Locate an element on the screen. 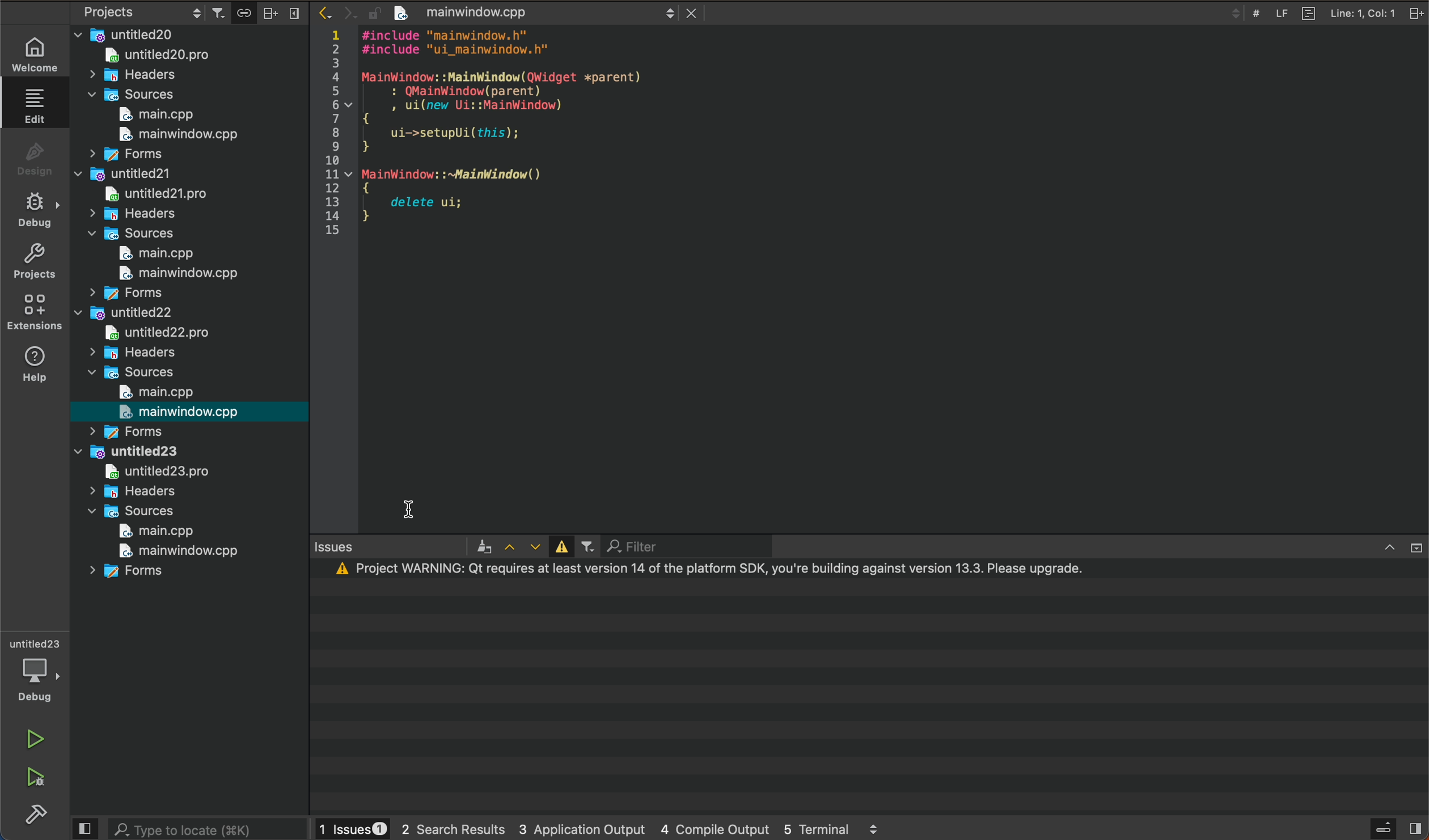 The image size is (1429, 840). untitled20 pro is located at coordinates (164, 57).